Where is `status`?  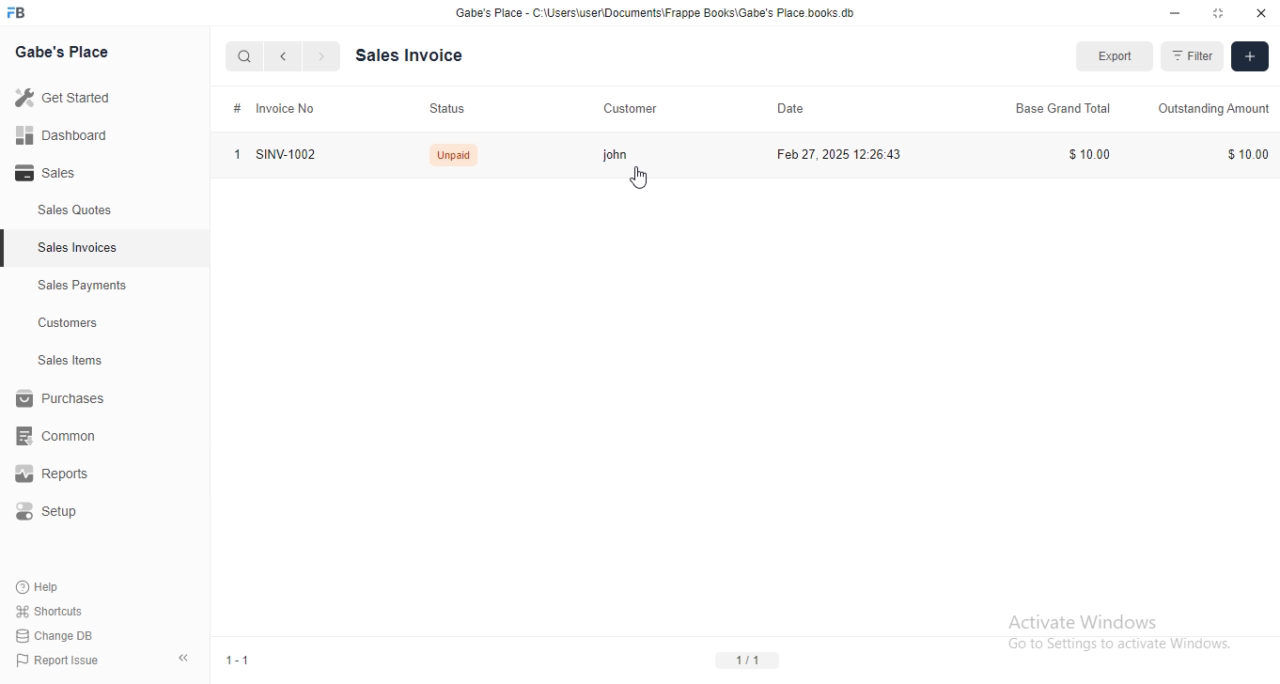
status is located at coordinates (447, 108).